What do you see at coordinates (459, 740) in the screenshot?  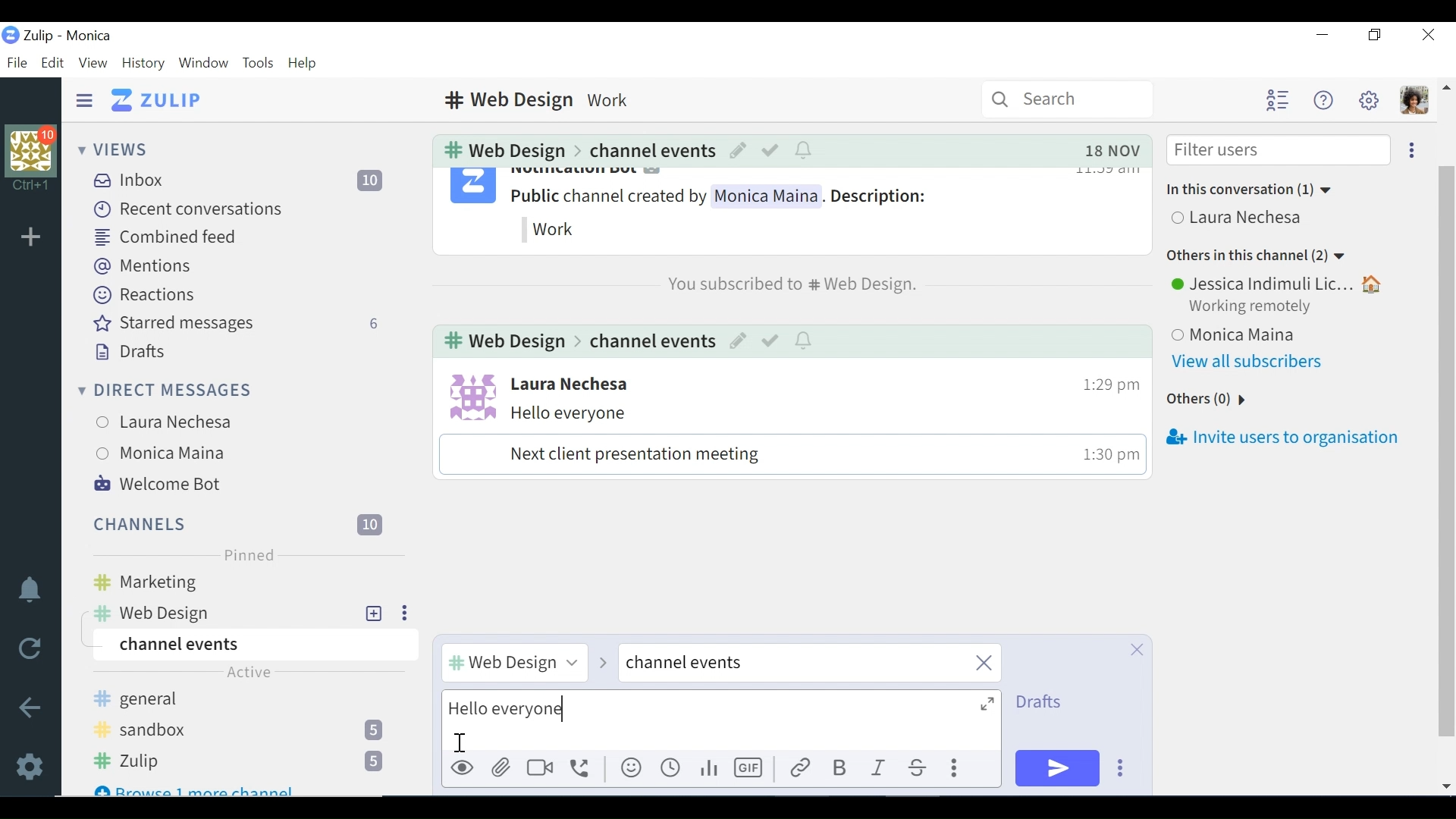 I see `cursor` at bounding box center [459, 740].